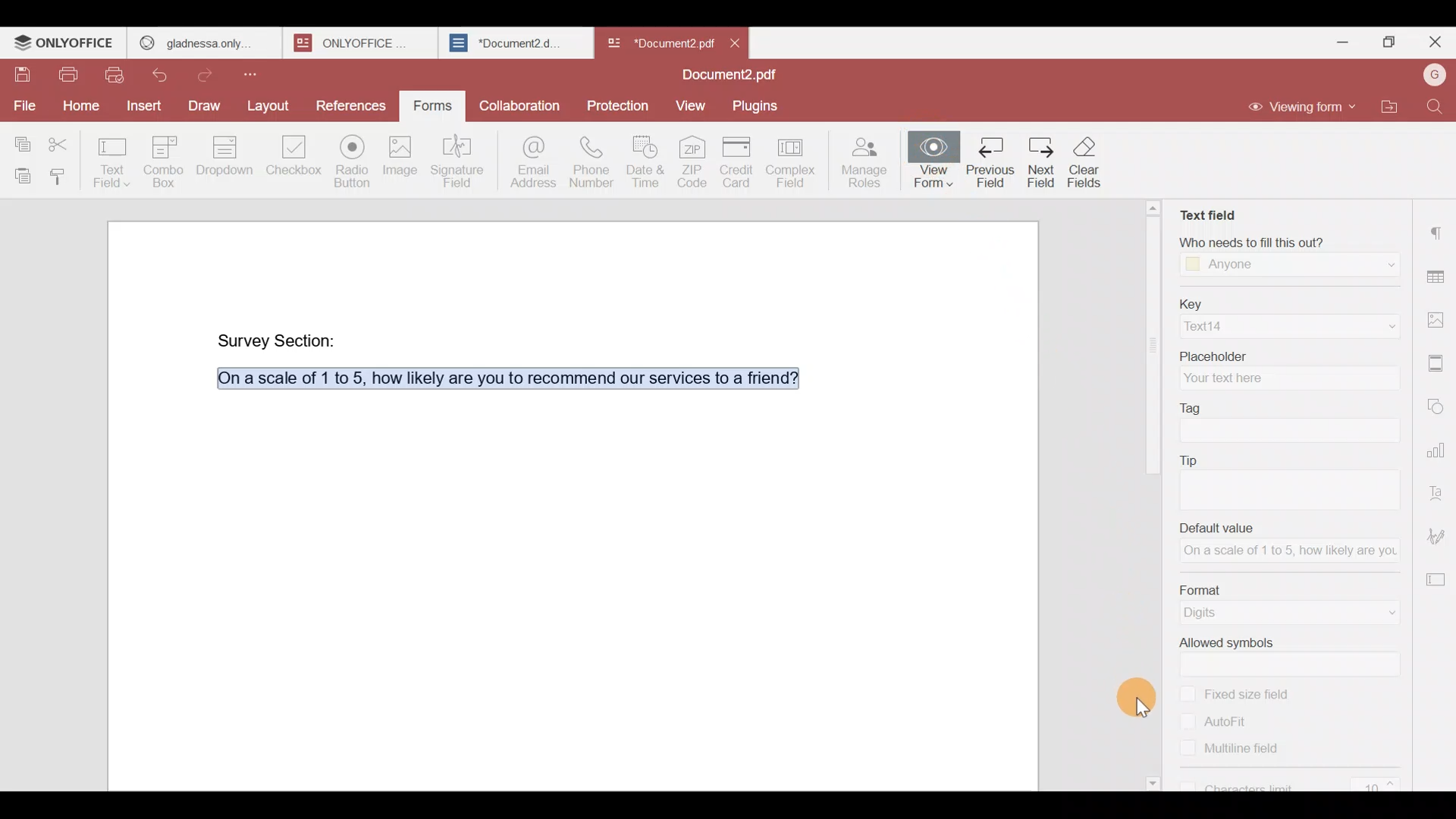 This screenshot has width=1456, height=819. I want to click on View form, so click(934, 158).